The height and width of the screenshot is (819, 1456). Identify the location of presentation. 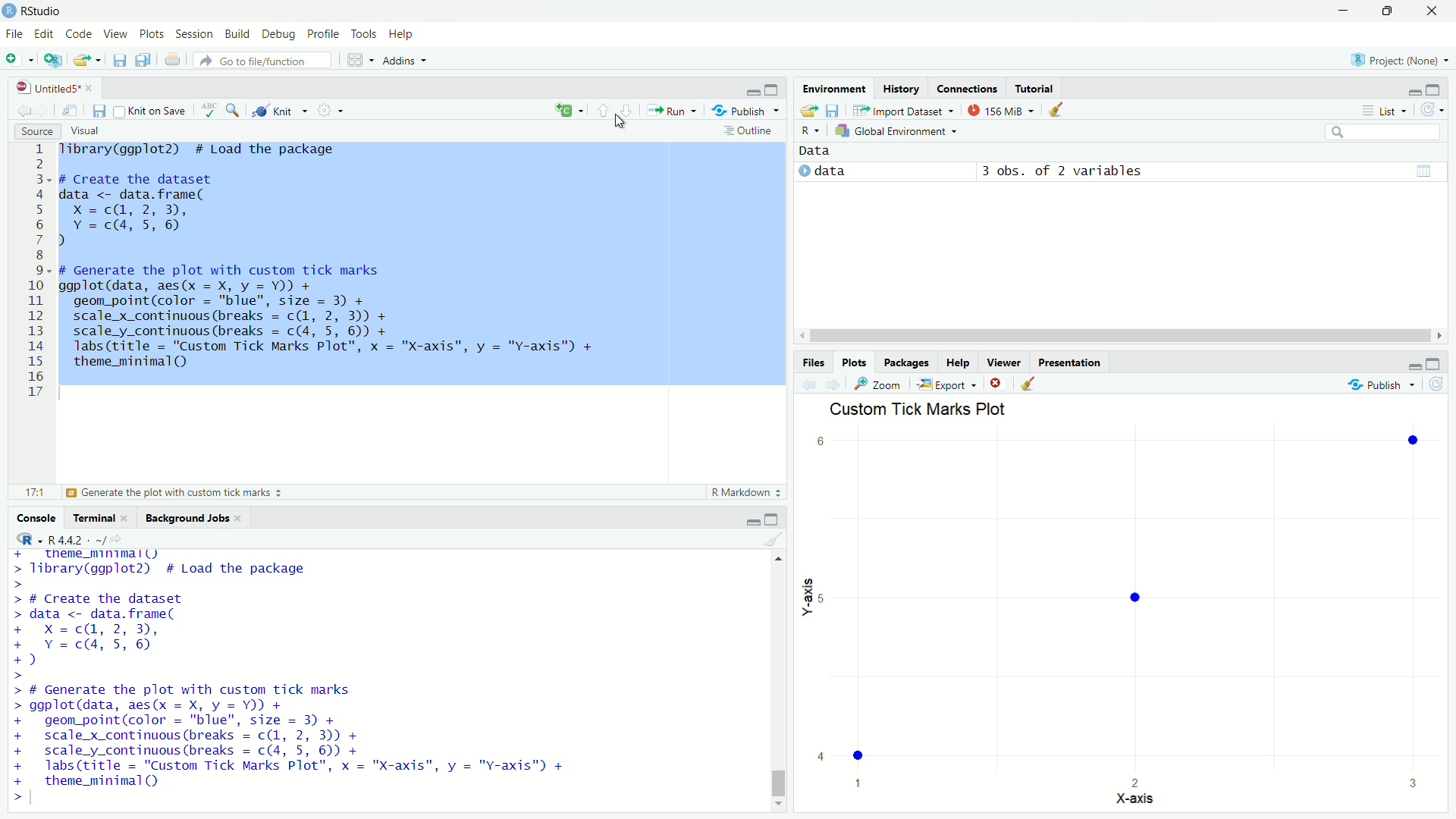
(1069, 361).